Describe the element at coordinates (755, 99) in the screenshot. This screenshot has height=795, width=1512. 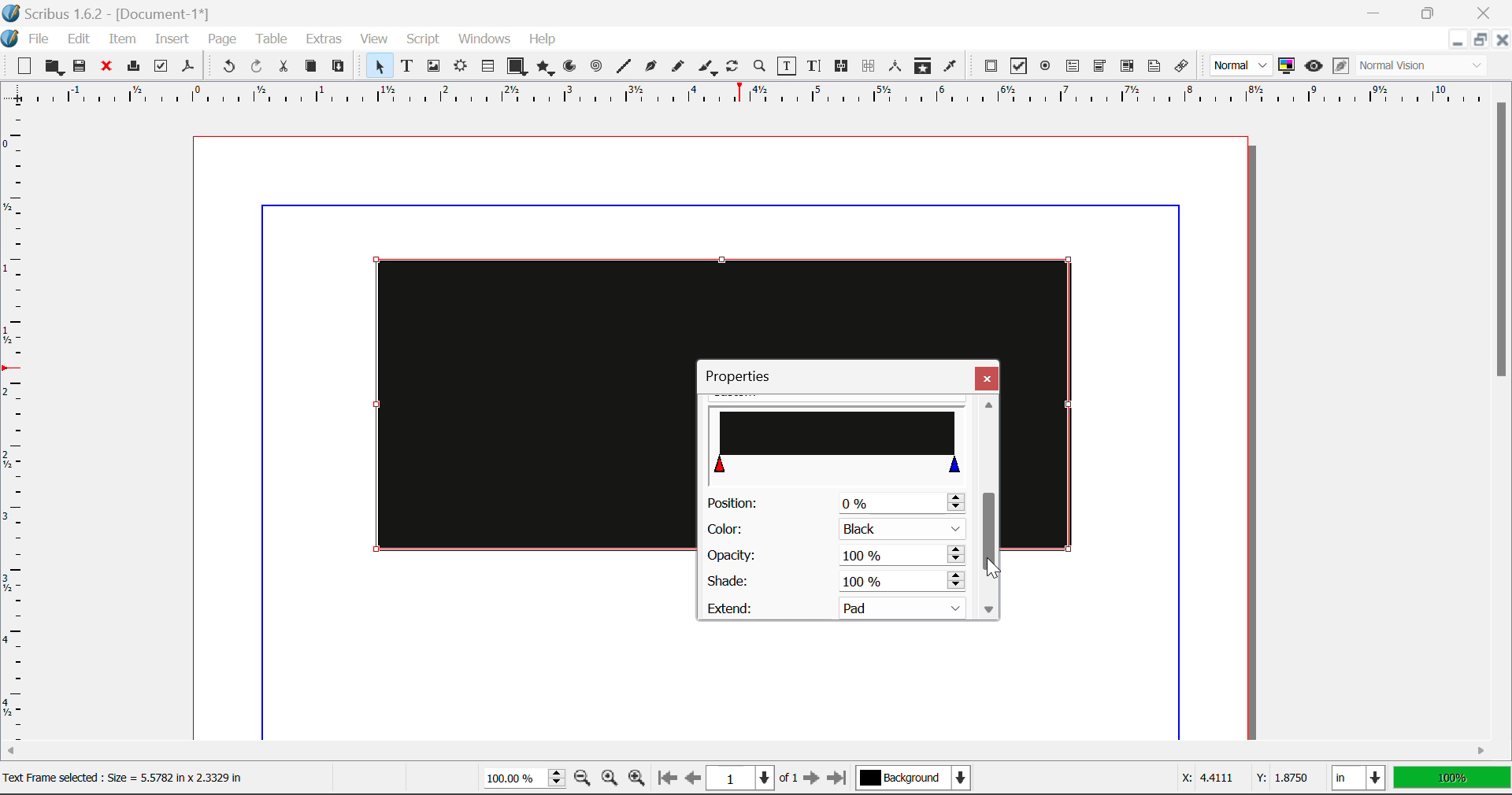
I see `Vertical Page Margins` at that location.